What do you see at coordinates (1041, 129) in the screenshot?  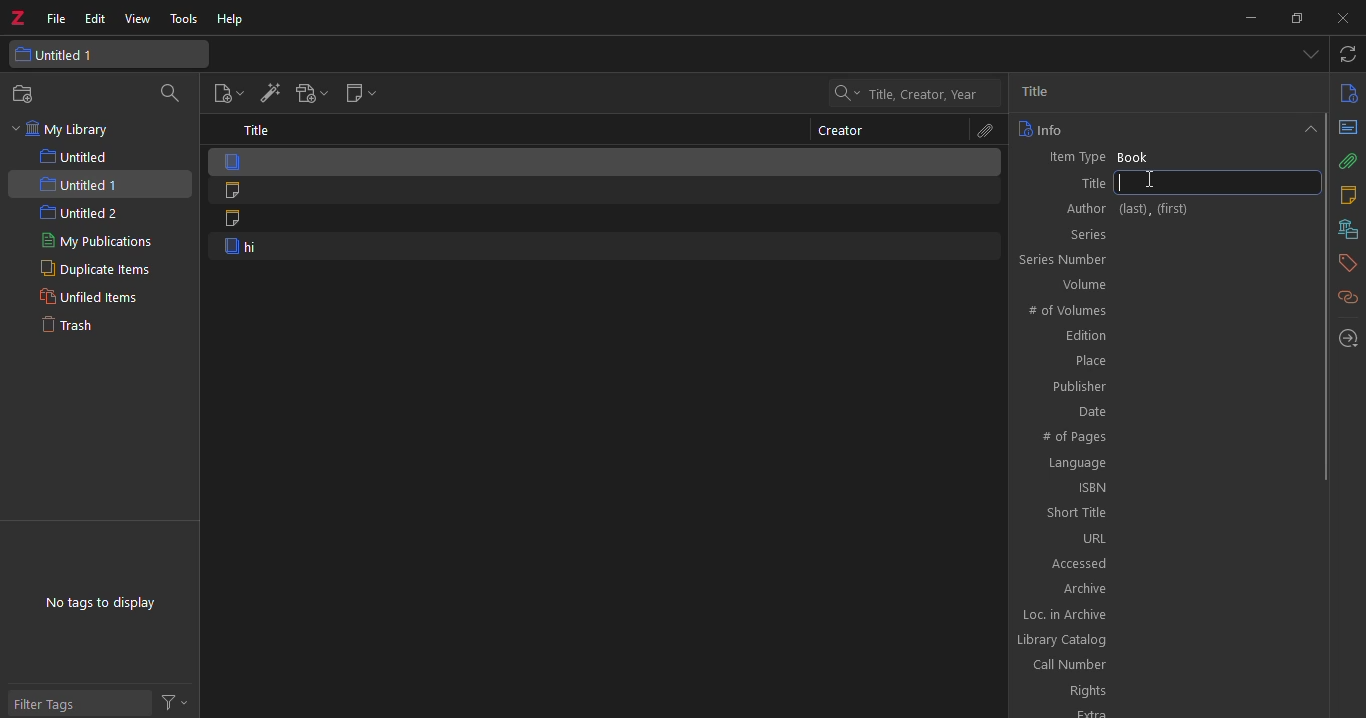 I see `info` at bounding box center [1041, 129].